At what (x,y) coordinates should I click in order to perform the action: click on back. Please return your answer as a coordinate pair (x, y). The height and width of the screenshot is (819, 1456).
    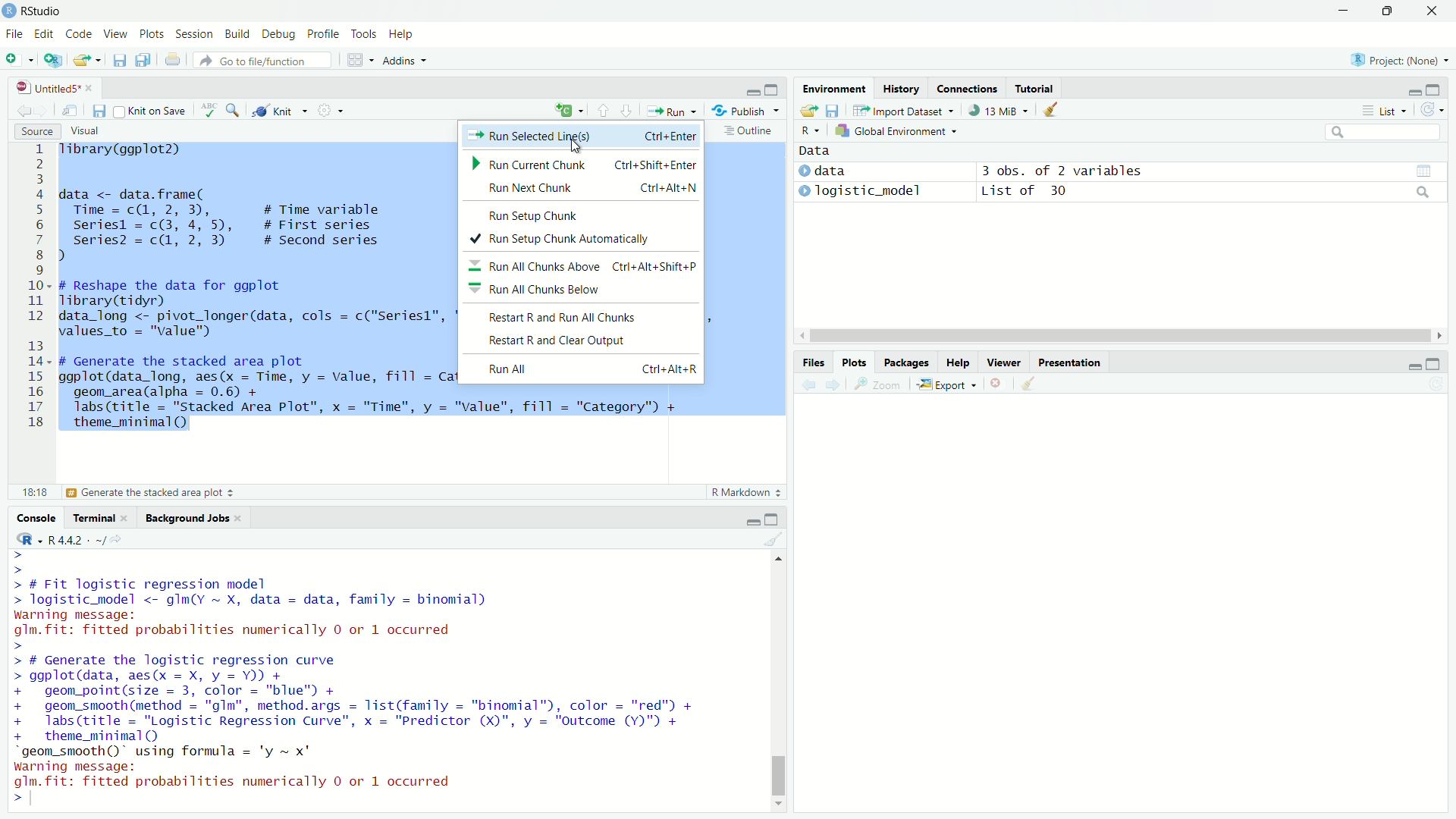
    Looking at the image, I should click on (25, 108).